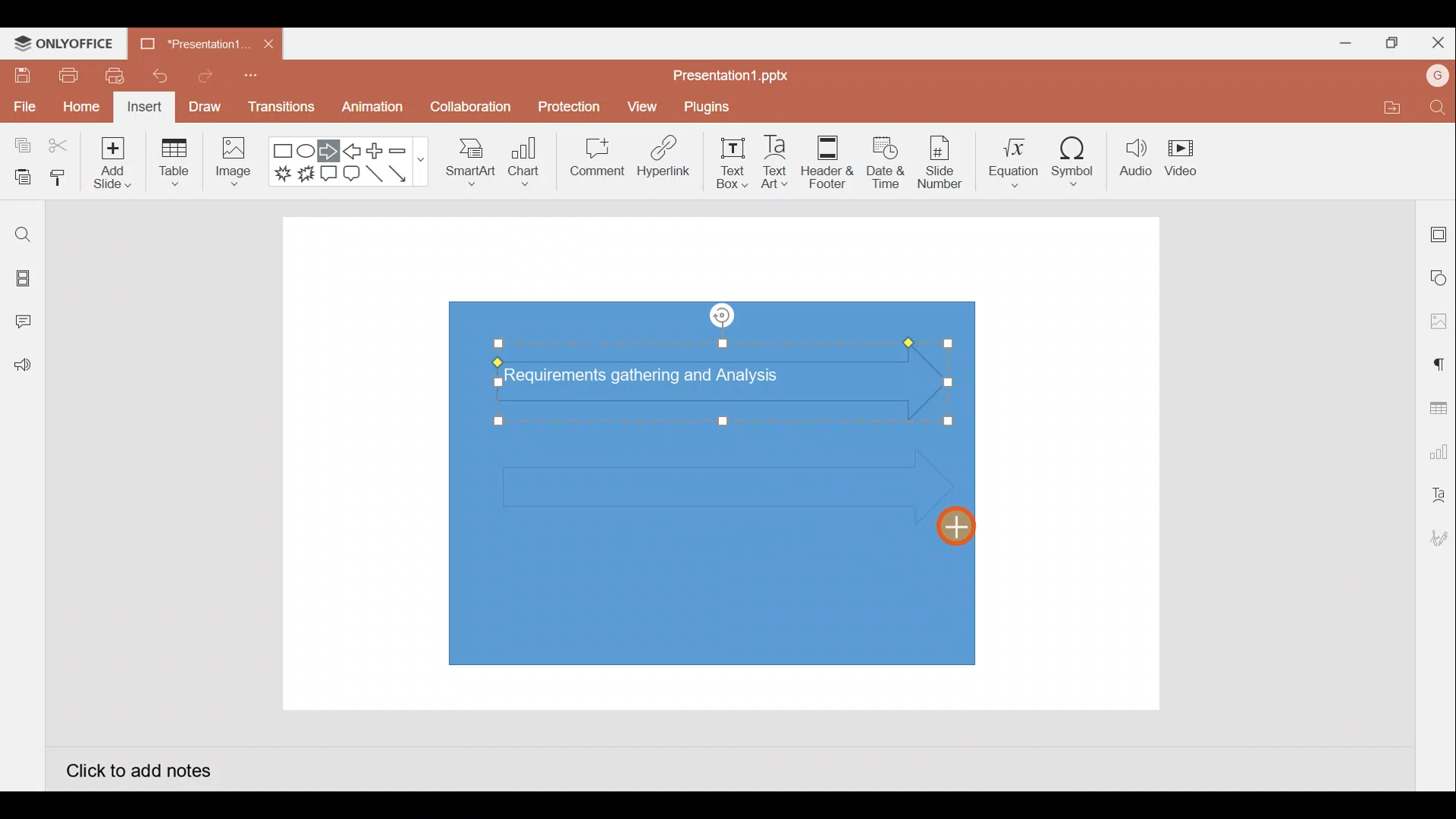  I want to click on View, so click(645, 103).